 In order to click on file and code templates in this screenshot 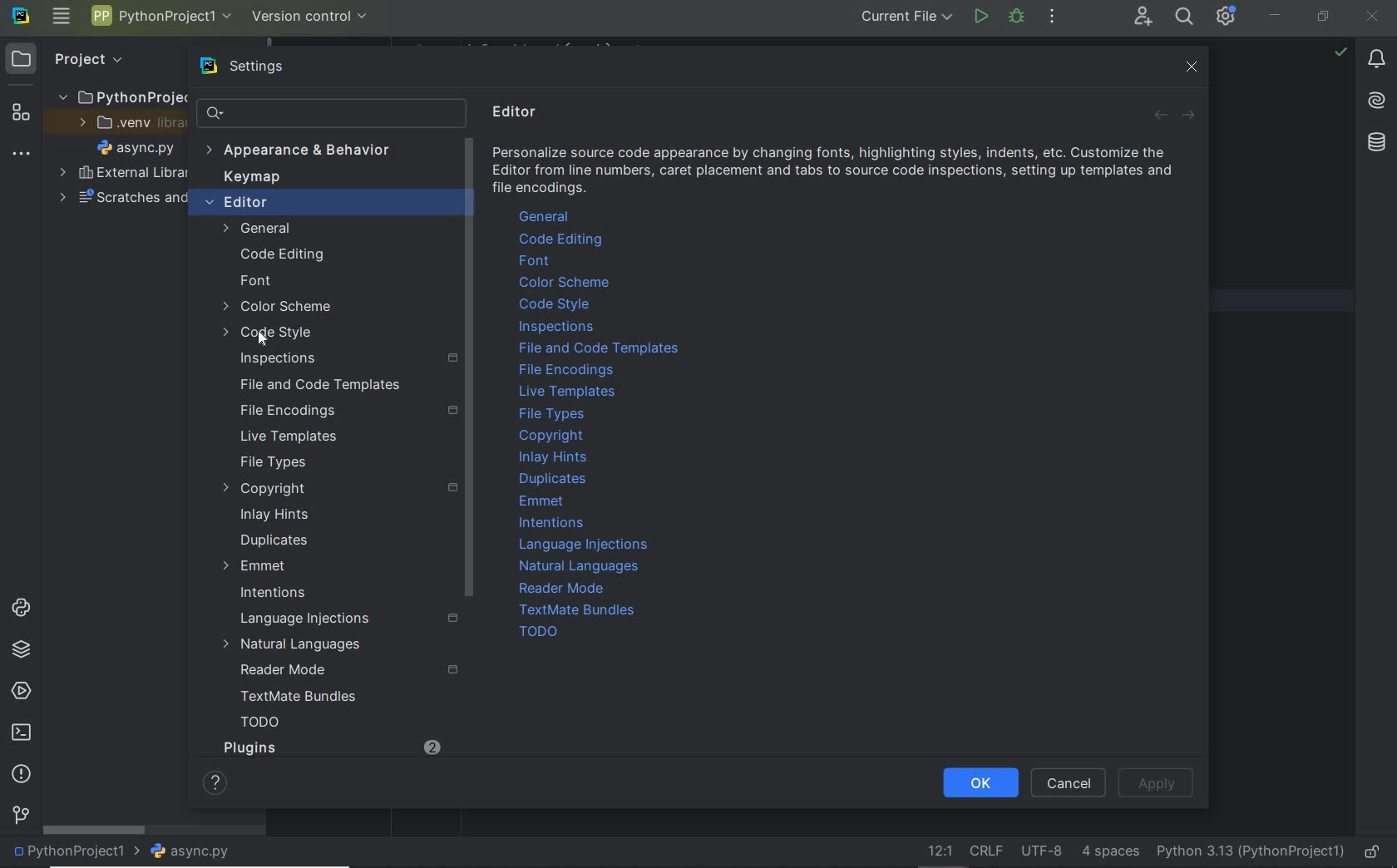, I will do `click(601, 348)`.